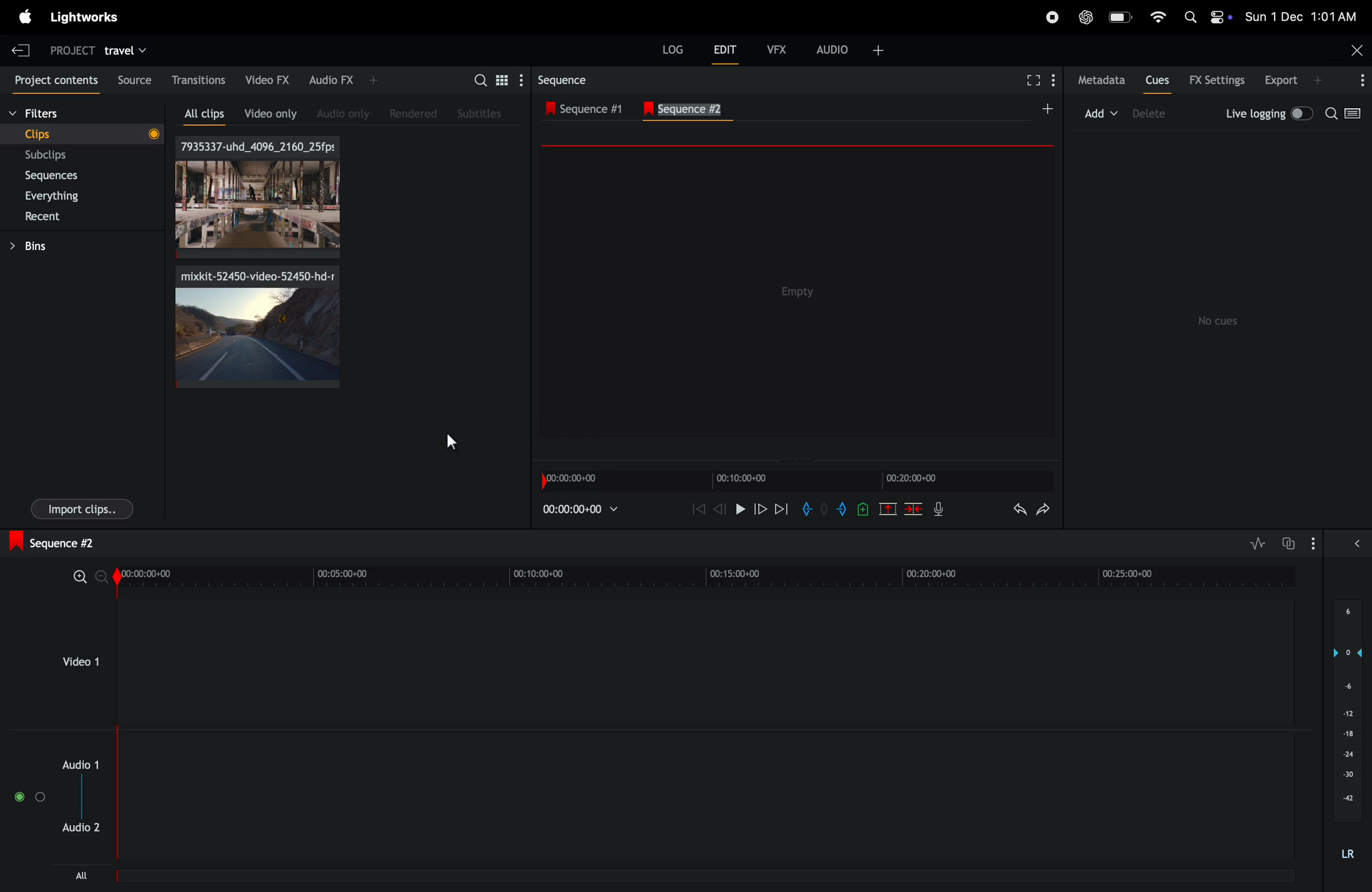 The width and height of the screenshot is (1372, 892). I want to click on video clips, so click(258, 327).